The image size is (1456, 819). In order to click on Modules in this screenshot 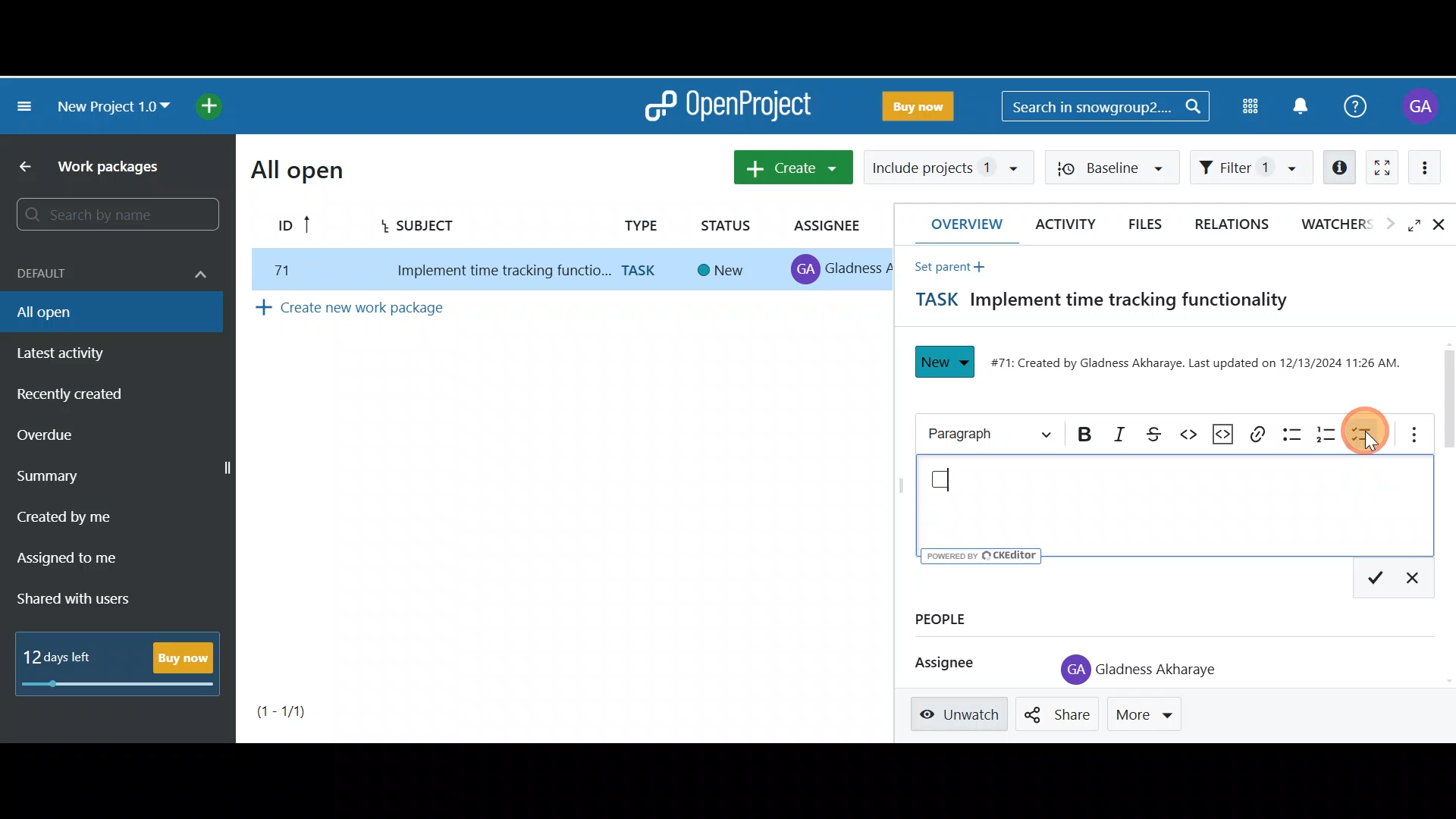, I will do `click(1250, 106)`.